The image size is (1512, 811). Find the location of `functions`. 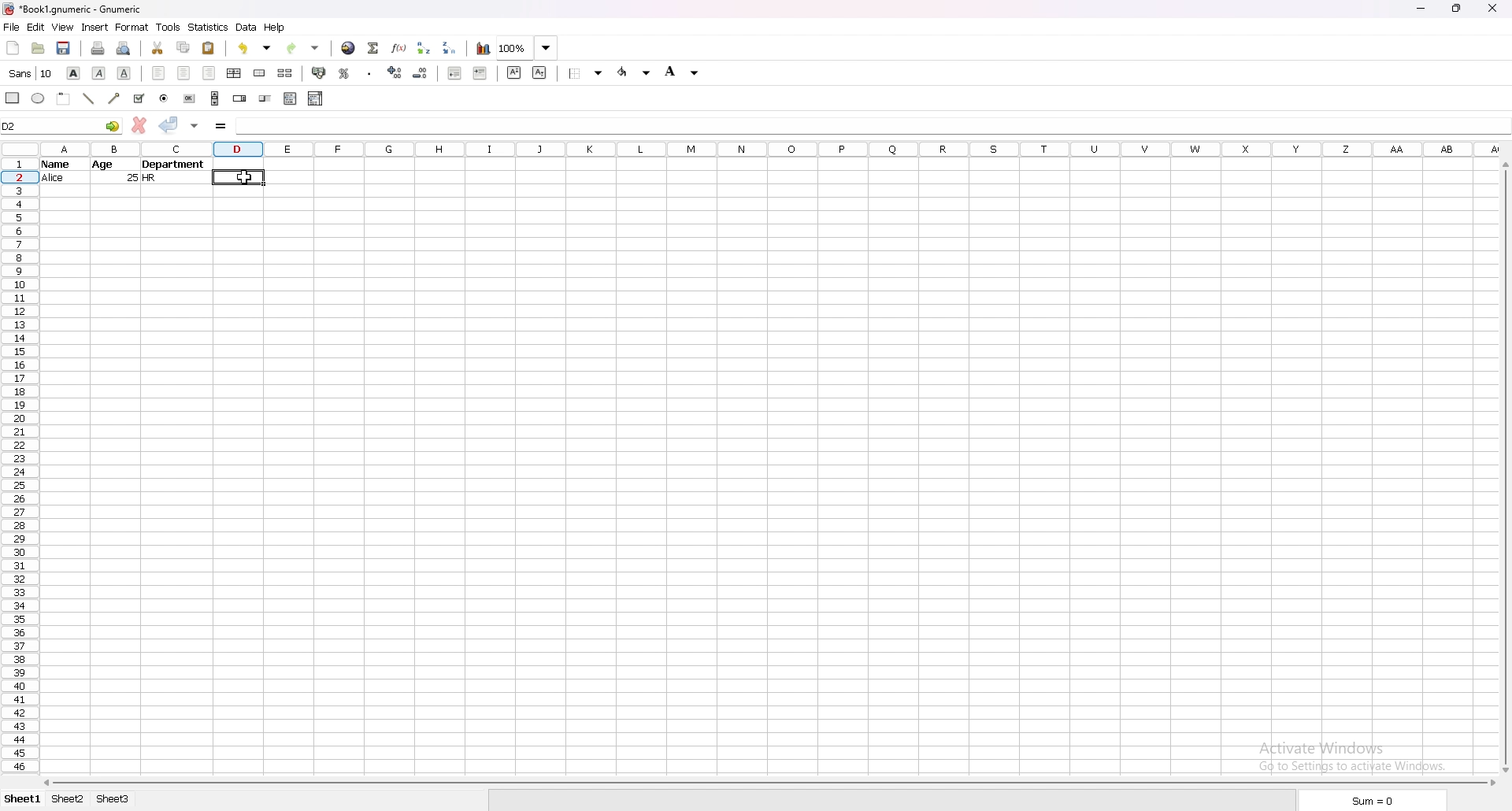

functions is located at coordinates (398, 47).